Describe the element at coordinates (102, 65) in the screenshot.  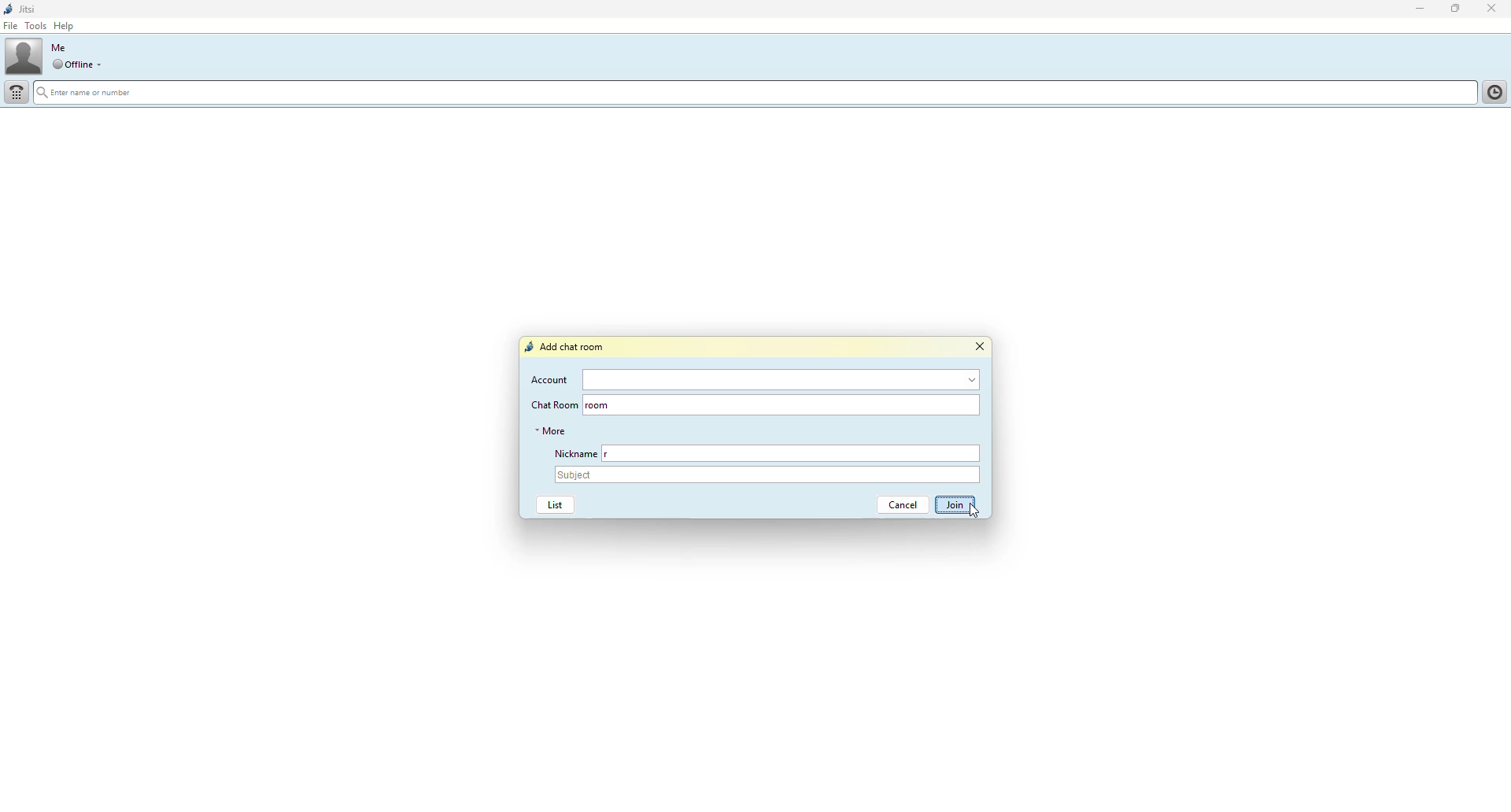
I see `drop down` at that location.